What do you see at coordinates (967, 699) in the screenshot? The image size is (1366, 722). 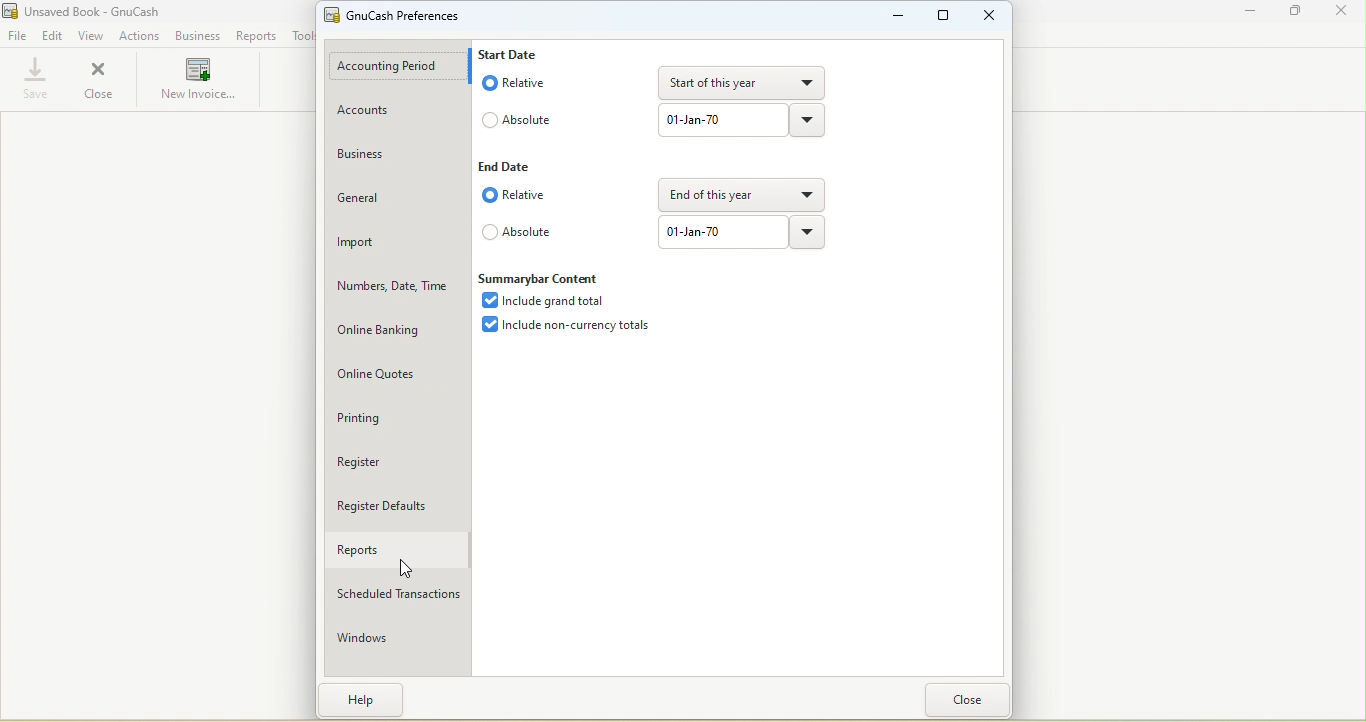 I see `close` at bounding box center [967, 699].